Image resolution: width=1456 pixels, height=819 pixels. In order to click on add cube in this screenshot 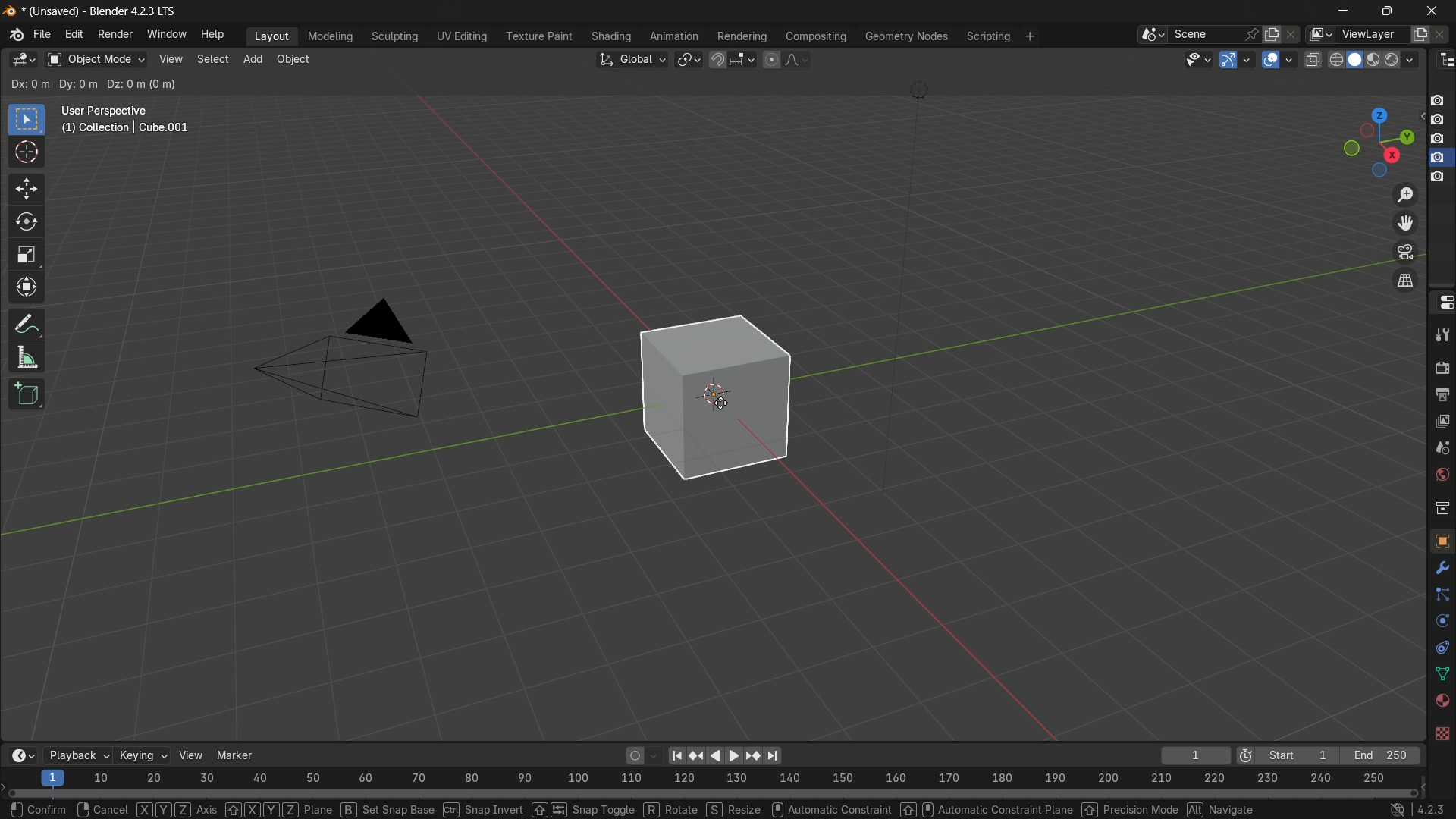, I will do `click(26, 395)`.